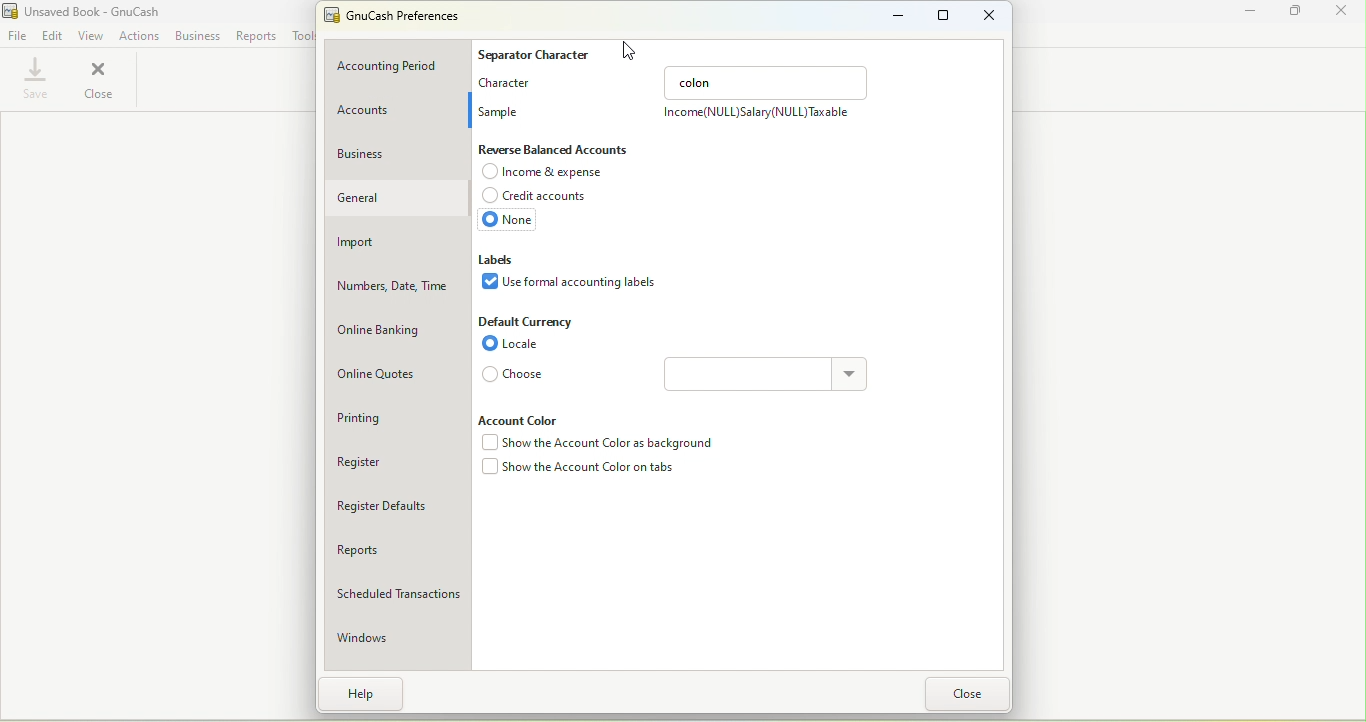  Describe the element at coordinates (501, 256) in the screenshot. I see `Labels` at that location.